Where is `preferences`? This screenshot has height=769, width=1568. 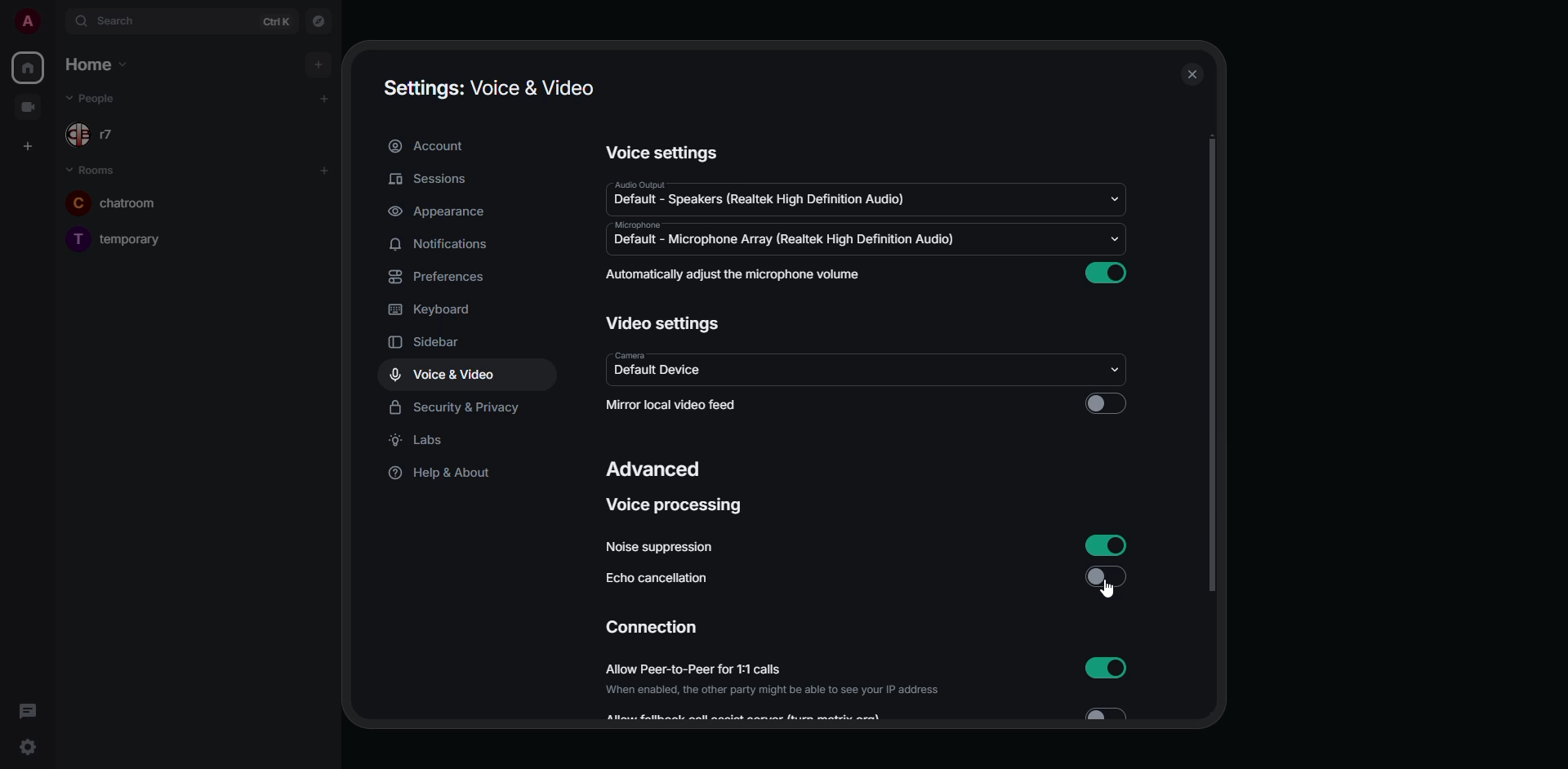
preferences is located at coordinates (441, 277).